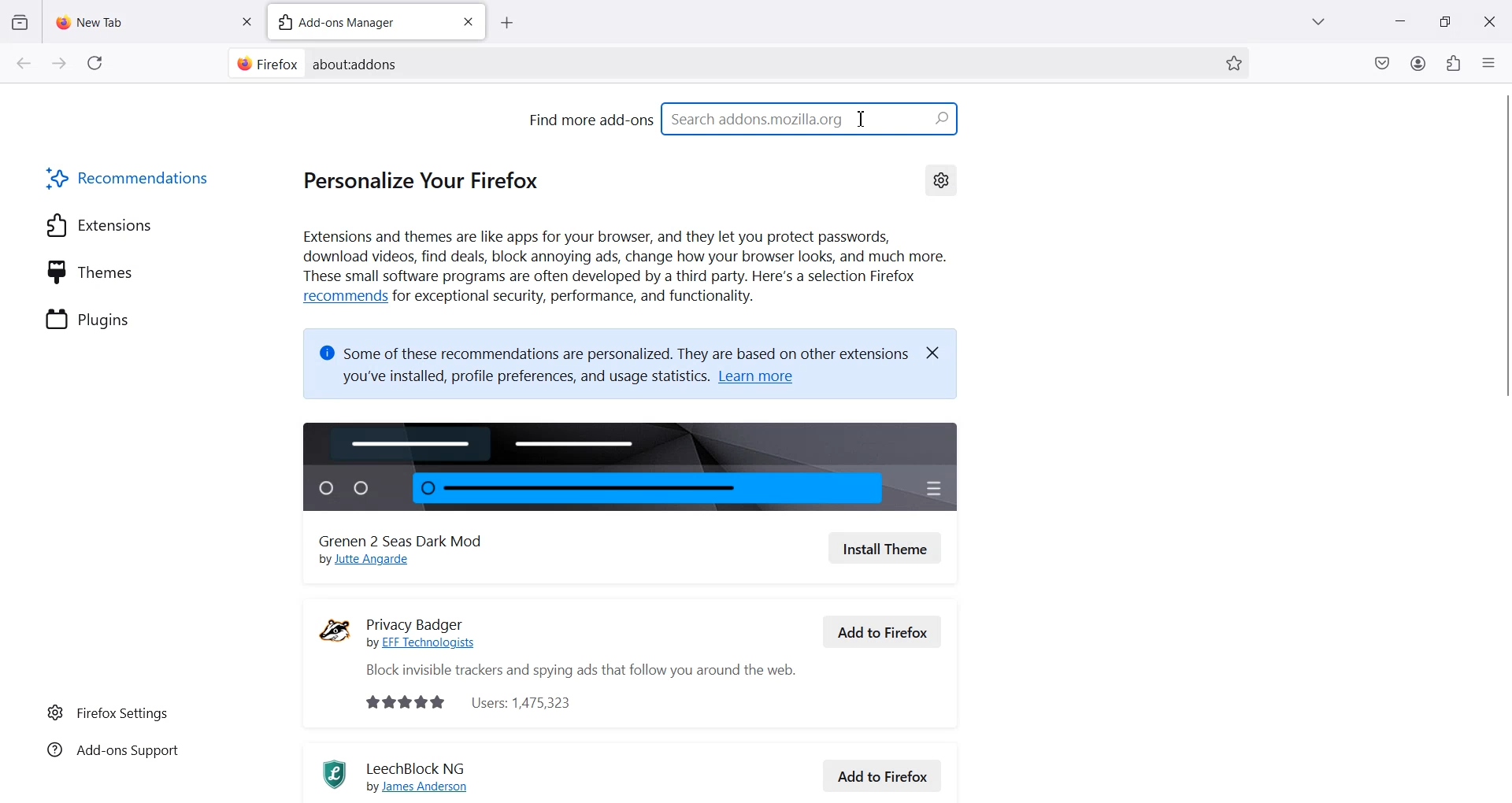  What do you see at coordinates (373, 561) in the screenshot?
I see `by Jutte Angarde` at bounding box center [373, 561].